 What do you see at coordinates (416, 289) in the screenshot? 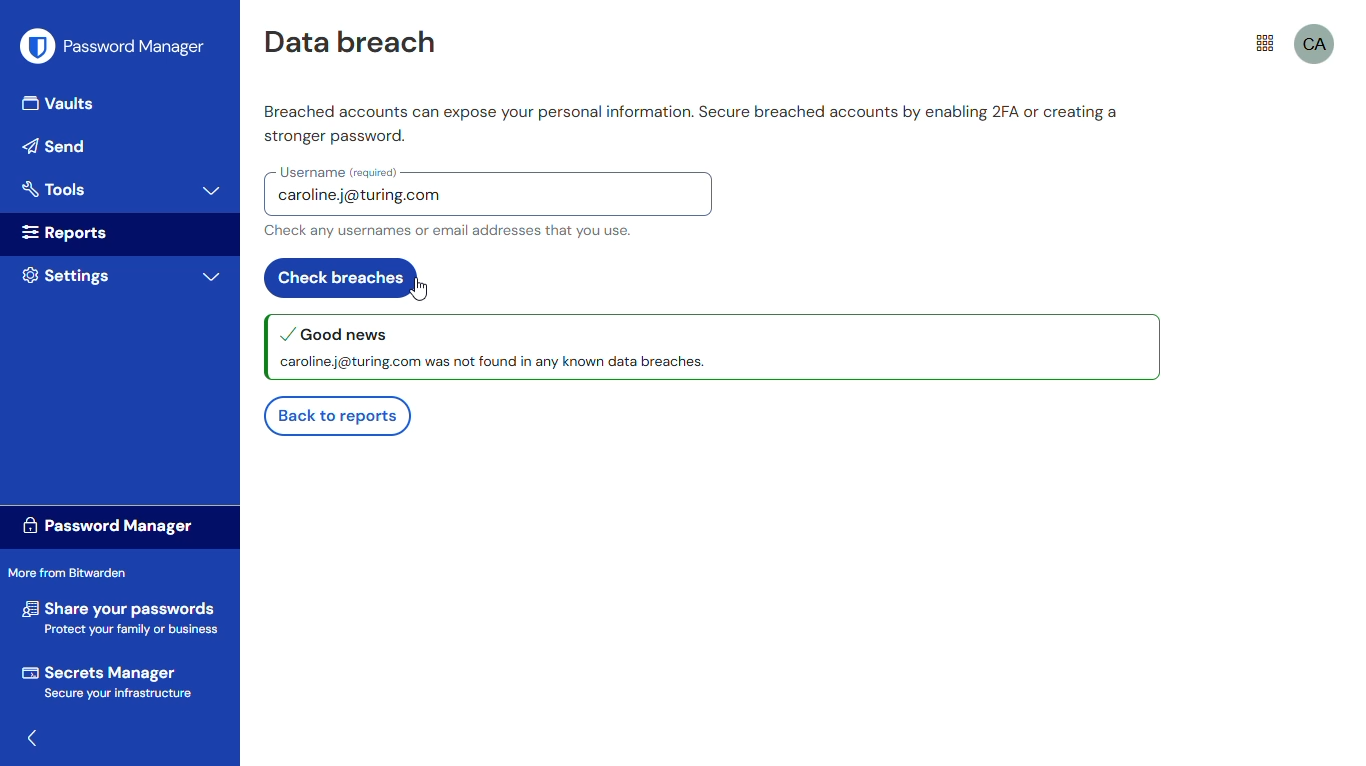
I see `cursor on check breaches` at bounding box center [416, 289].